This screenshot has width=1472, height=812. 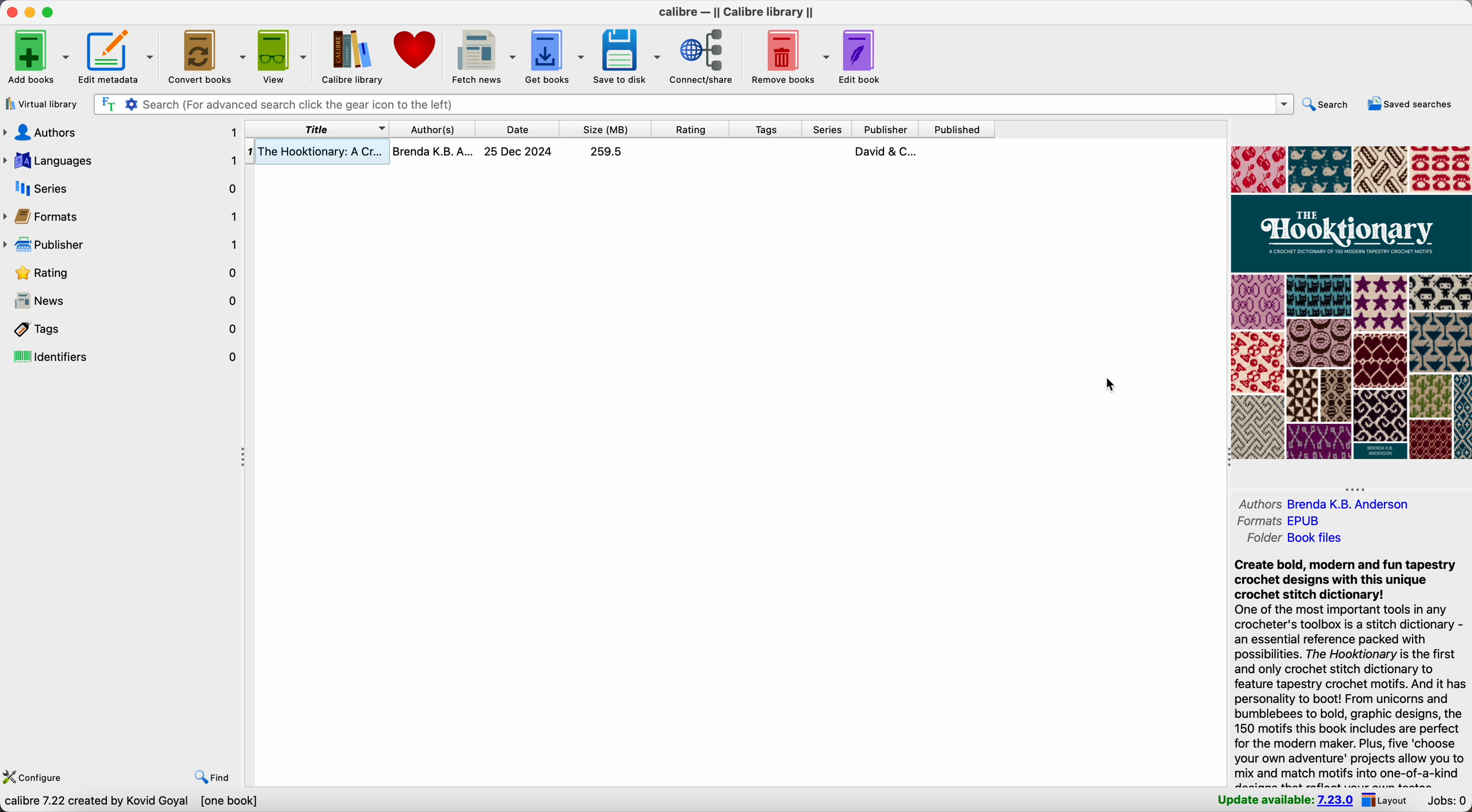 What do you see at coordinates (629, 58) in the screenshot?
I see `save to disk` at bounding box center [629, 58].